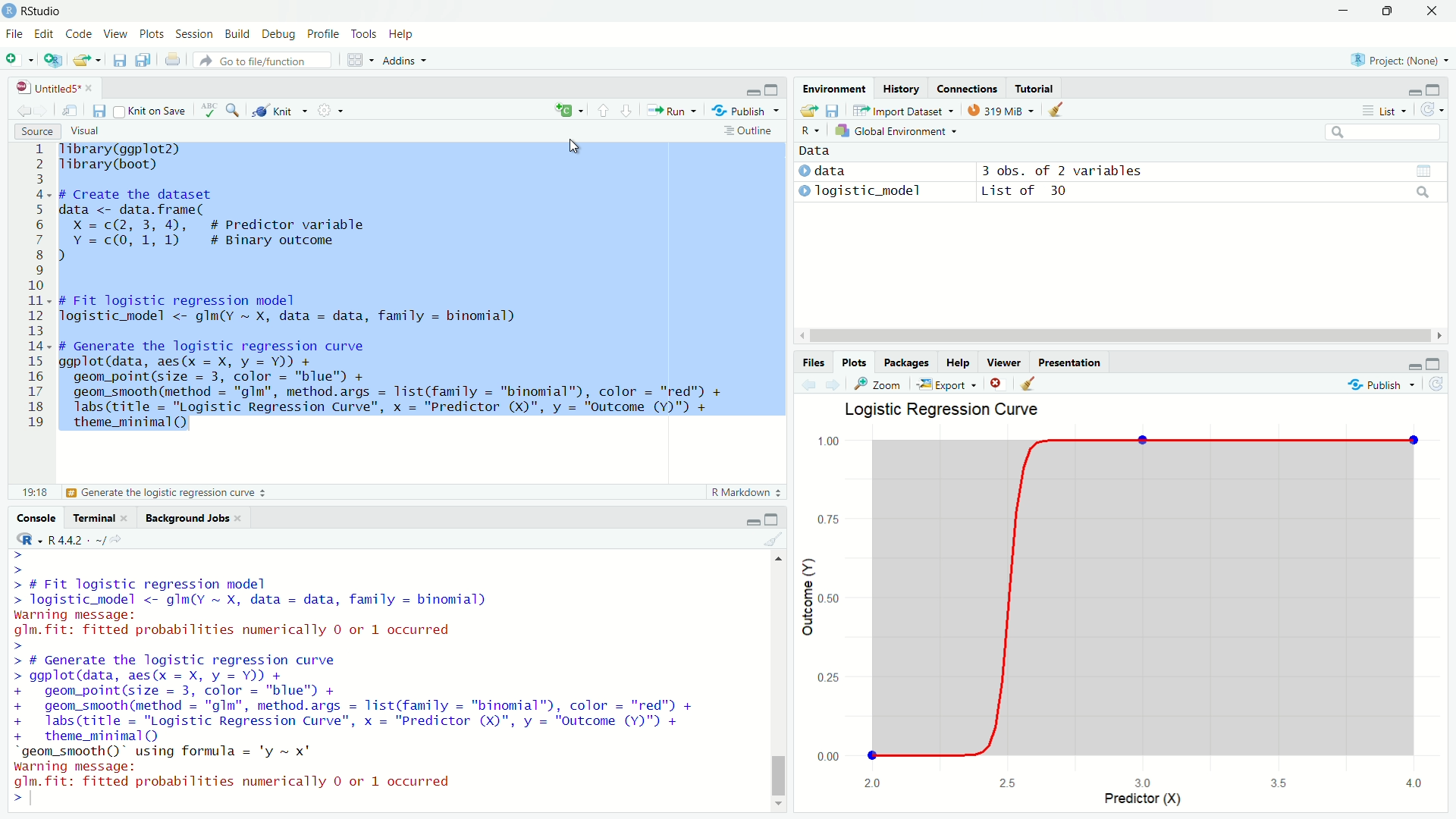 This screenshot has width=1456, height=819. What do you see at coordinates (30, 539) in the screenshot?
I see `R` at bounding box center [30, 539].